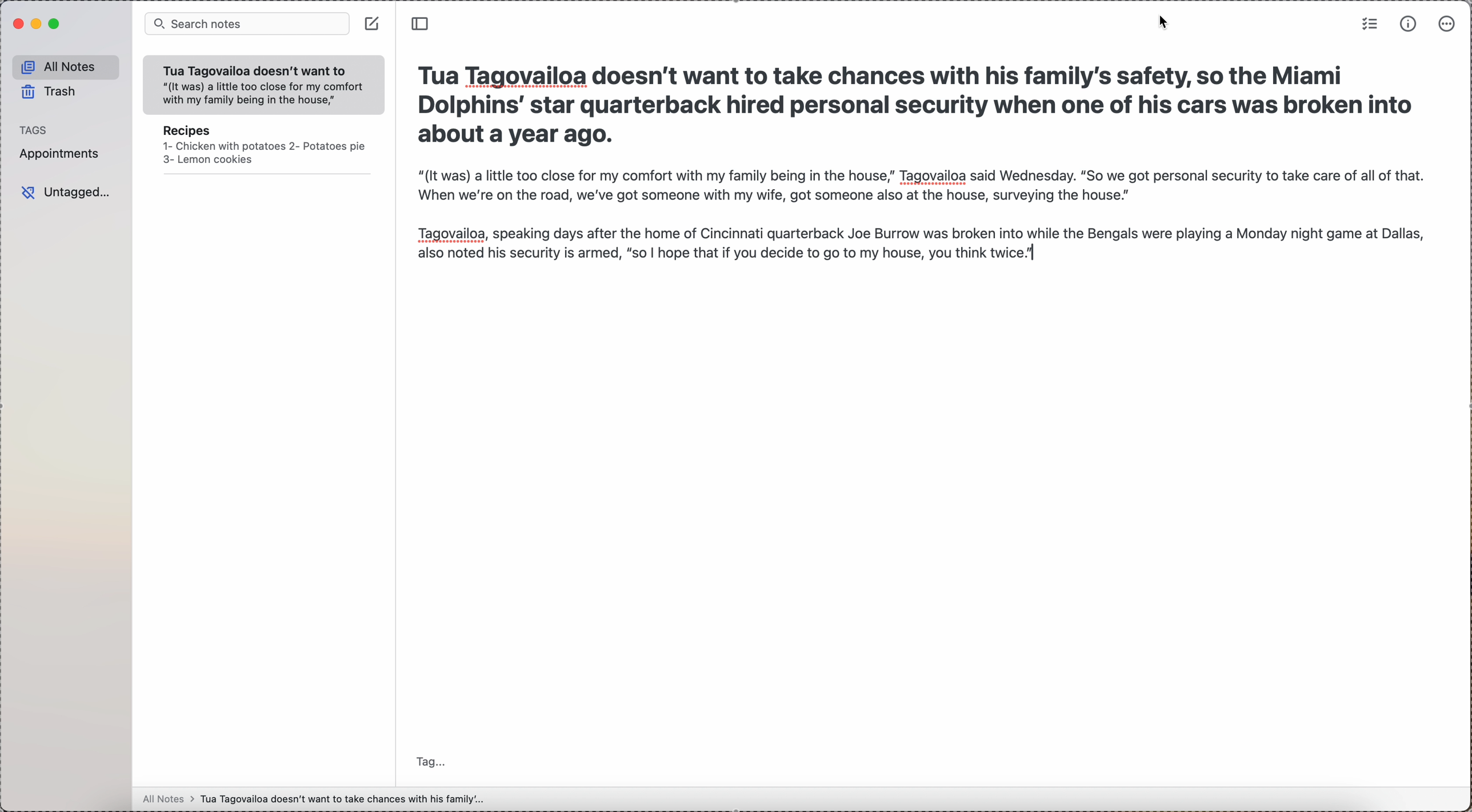 This screenshot has width=1472, height=812. What do you see at coordinates (928, 108) in the screenshot?
I see `Tua Tagovailoa doesn't want to take chances with his family's safety, so the Miami
Dolphins’ star quarterback hired personal security when one of his cars was
broken into about a vear ago.` at bounding box center [928, 108].